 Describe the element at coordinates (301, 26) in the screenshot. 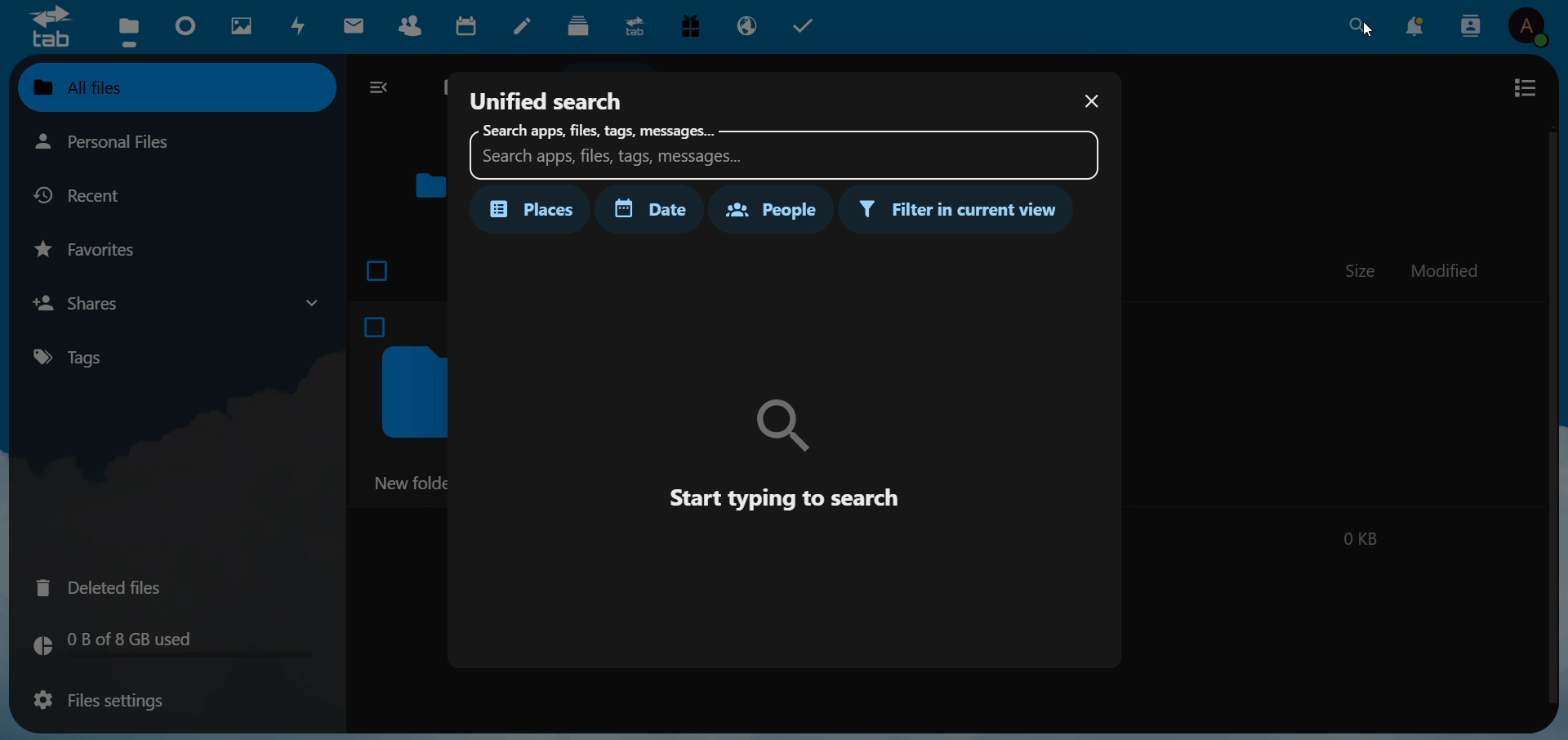

I see `activity` at that location.